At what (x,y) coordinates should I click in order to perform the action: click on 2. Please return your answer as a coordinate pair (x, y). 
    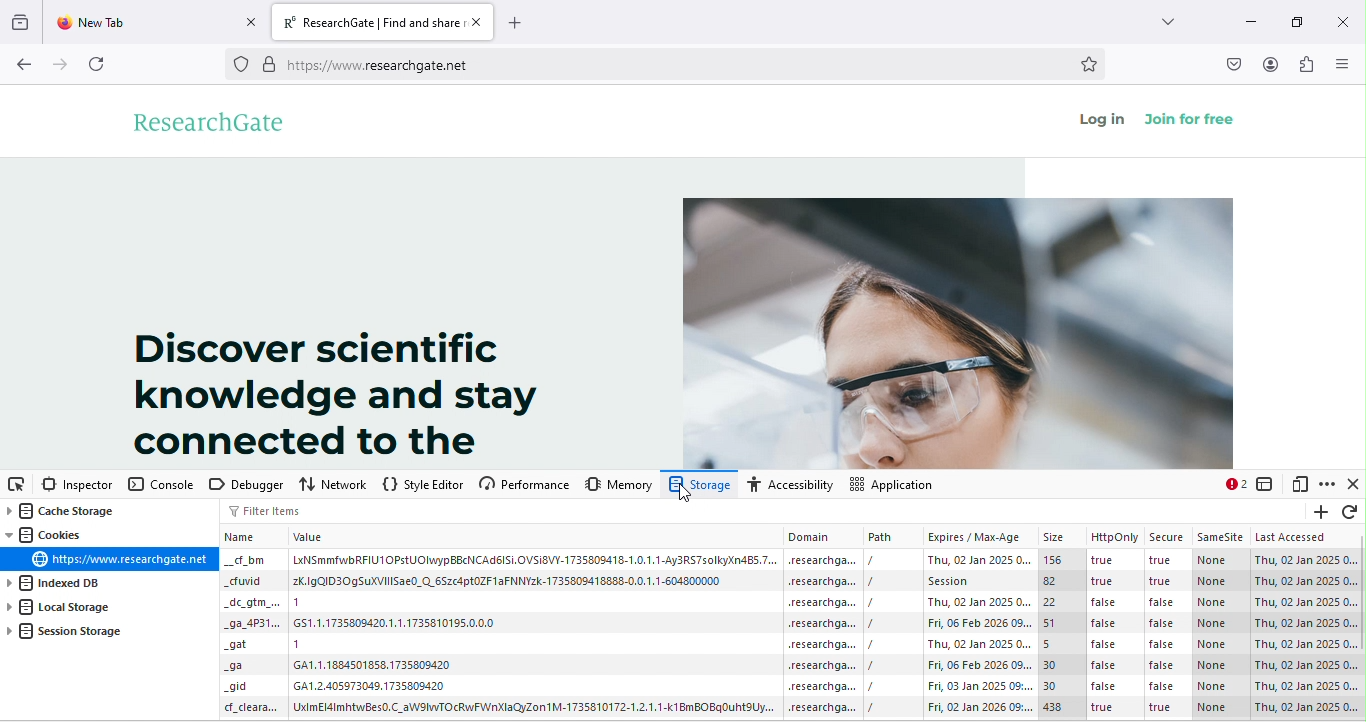
    Looking at the image, I should click on (1233, 486).